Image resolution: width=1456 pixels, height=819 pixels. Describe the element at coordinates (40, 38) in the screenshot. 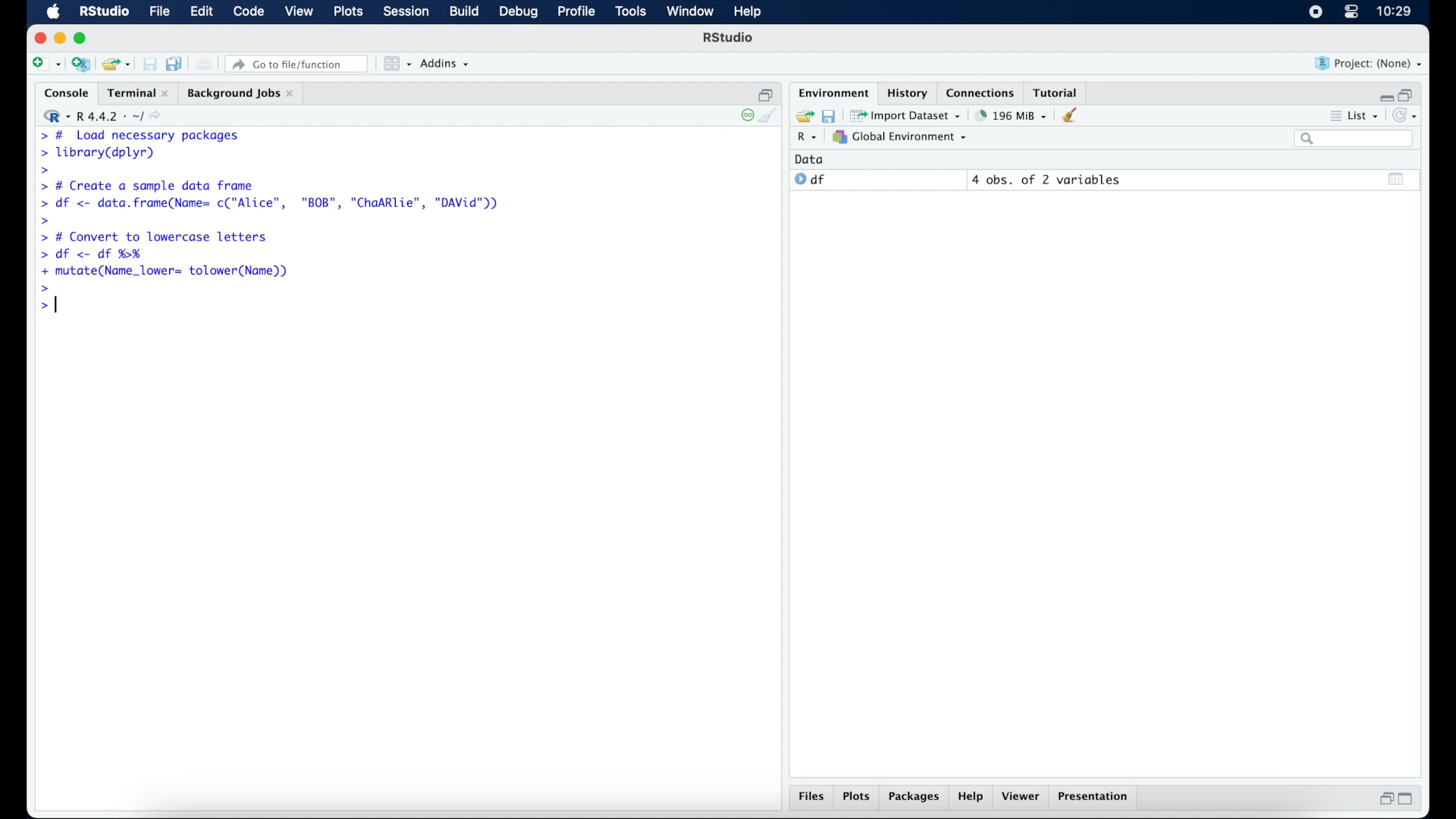

I see `close` at that location.